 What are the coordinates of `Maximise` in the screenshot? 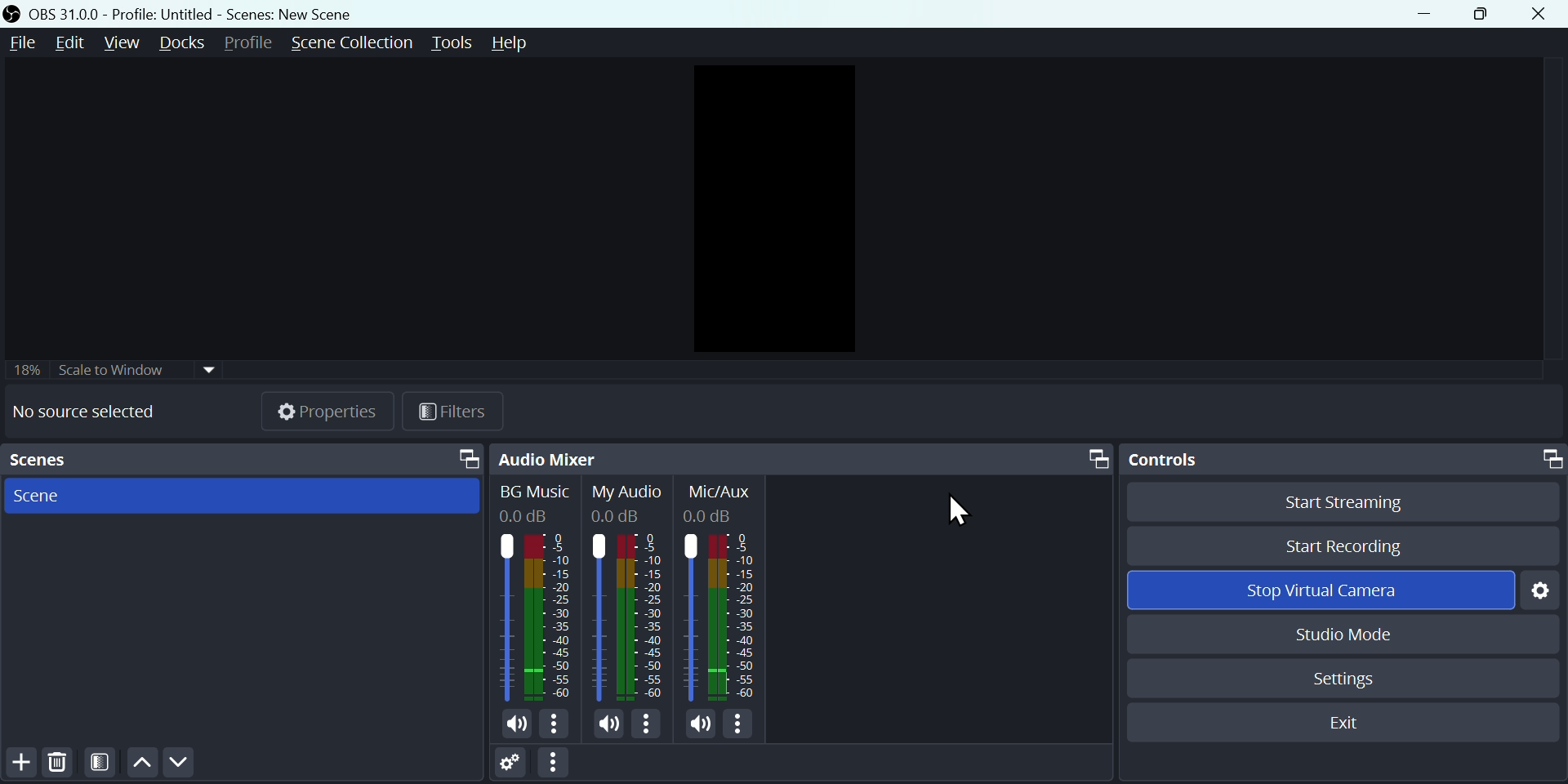 It's located at (1477, 16).